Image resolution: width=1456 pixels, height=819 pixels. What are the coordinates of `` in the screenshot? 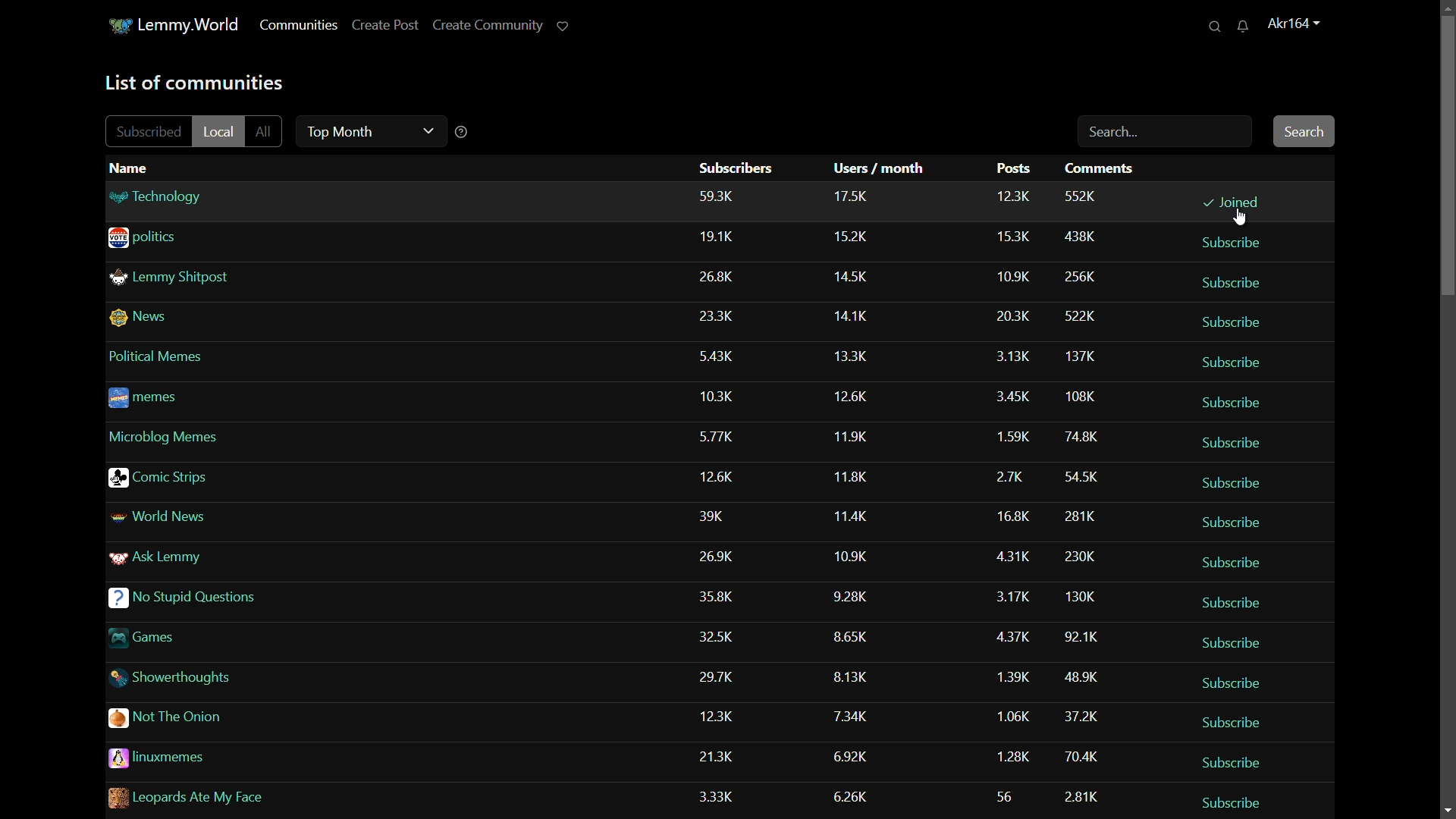 It's located at (1003, 354).